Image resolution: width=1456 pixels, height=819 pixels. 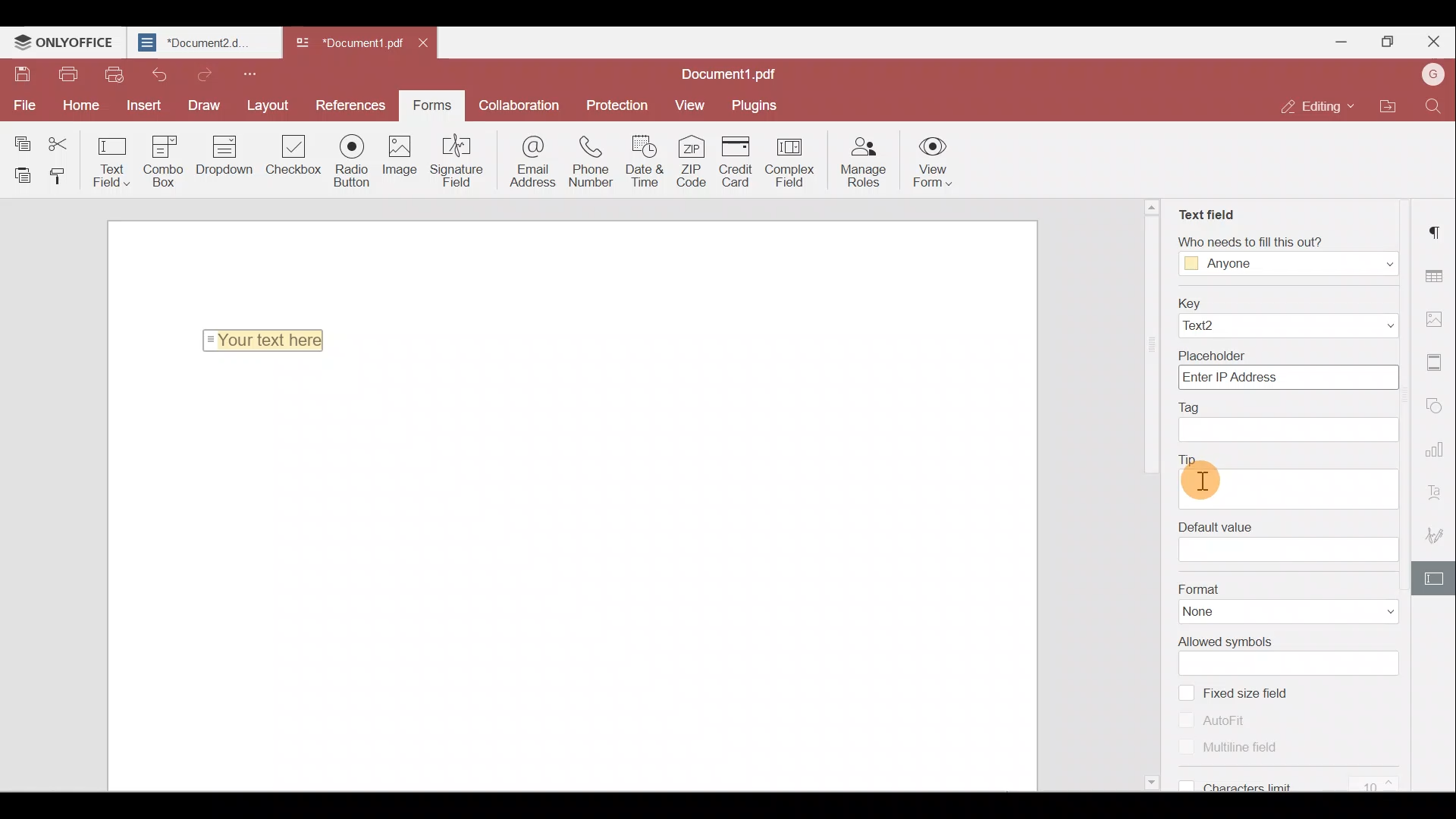 What do you see at coordinates (524, 104) in the screenshot?
I see `Collaboration` at bounding box center [524, 104].